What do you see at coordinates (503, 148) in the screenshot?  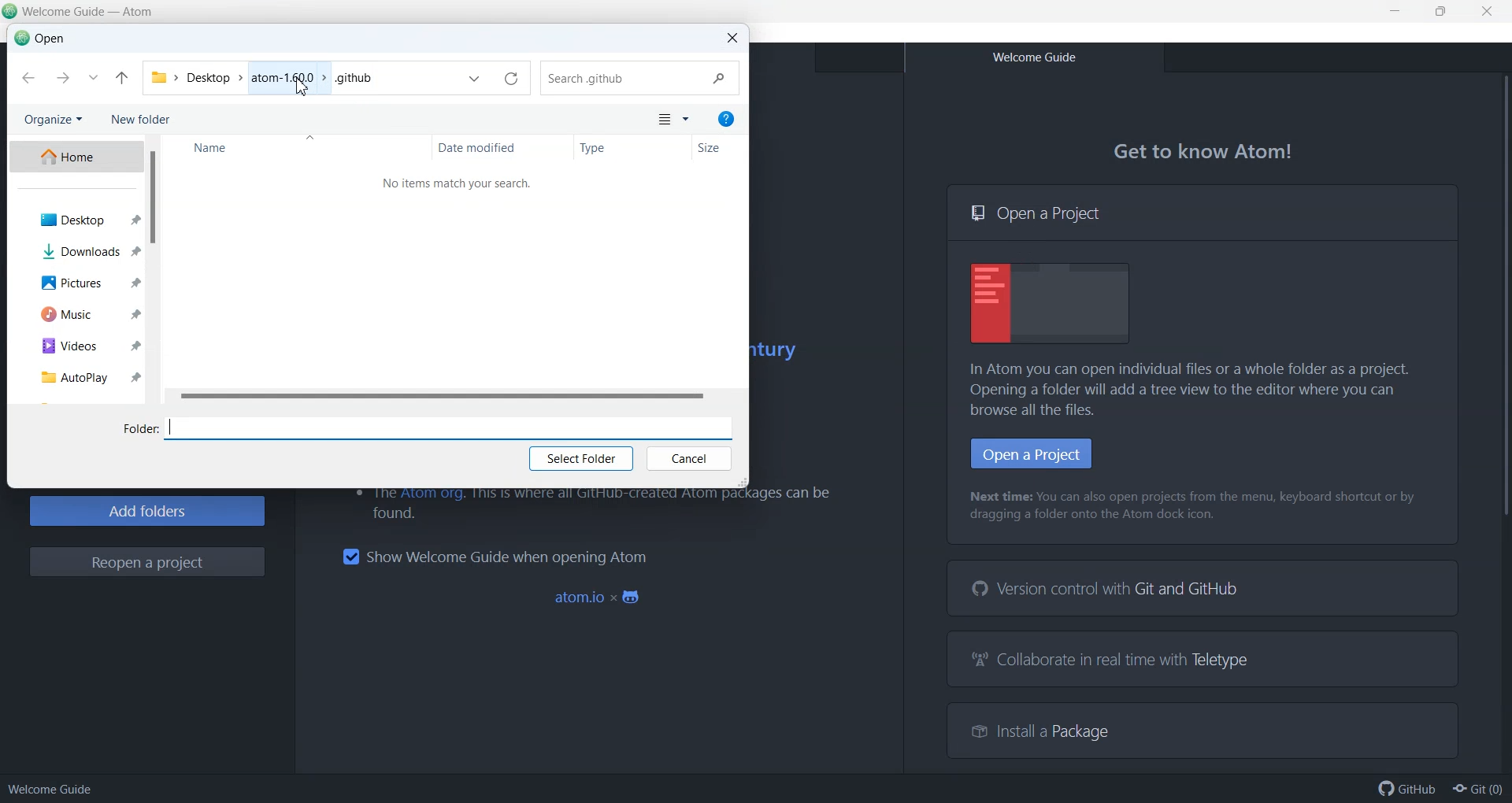 I see `Date modified` at bounding box center [503, 148].